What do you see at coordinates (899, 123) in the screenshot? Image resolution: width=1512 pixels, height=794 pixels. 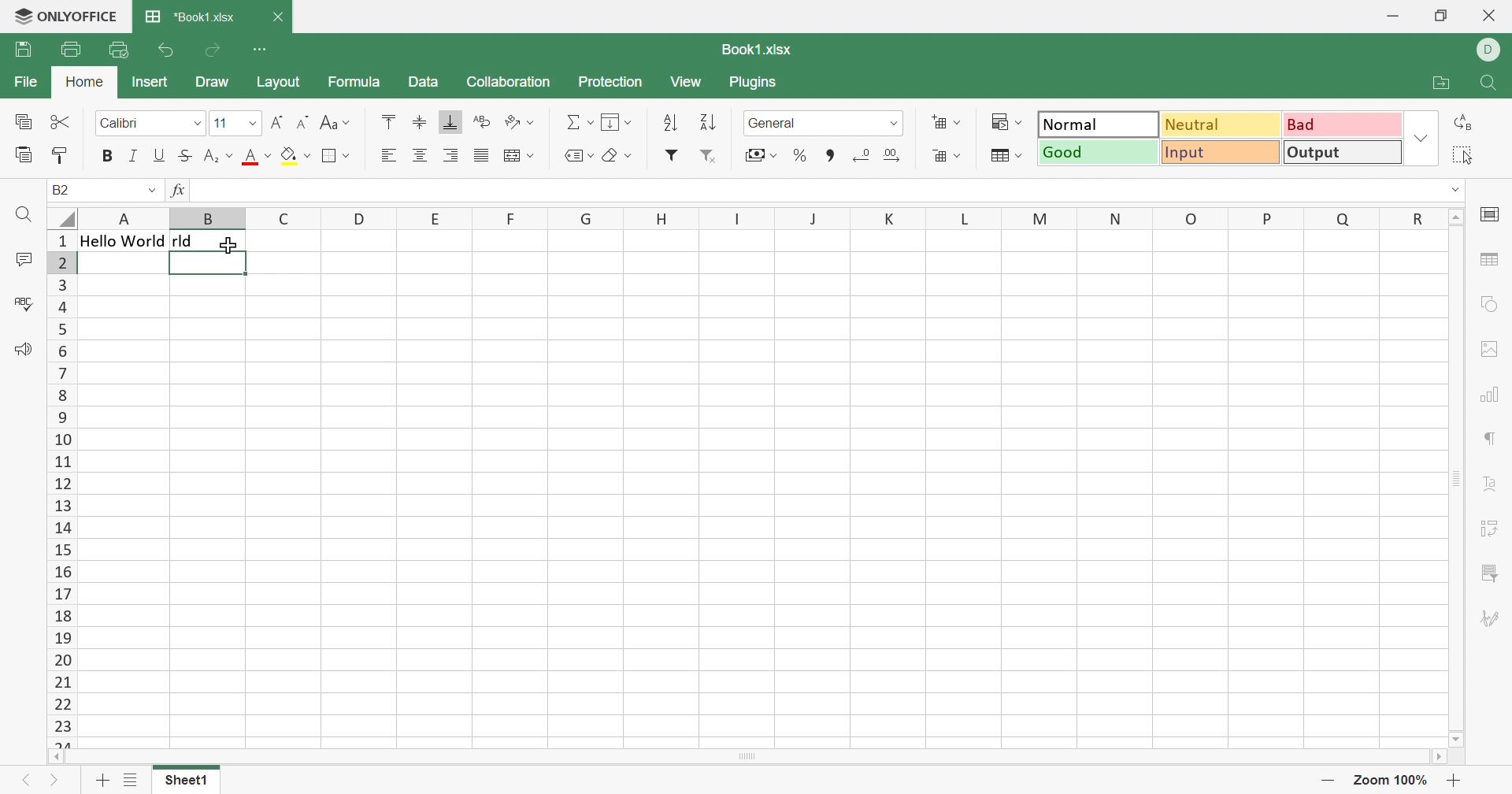 I see `Drop down` at bounding box center [899, 123].